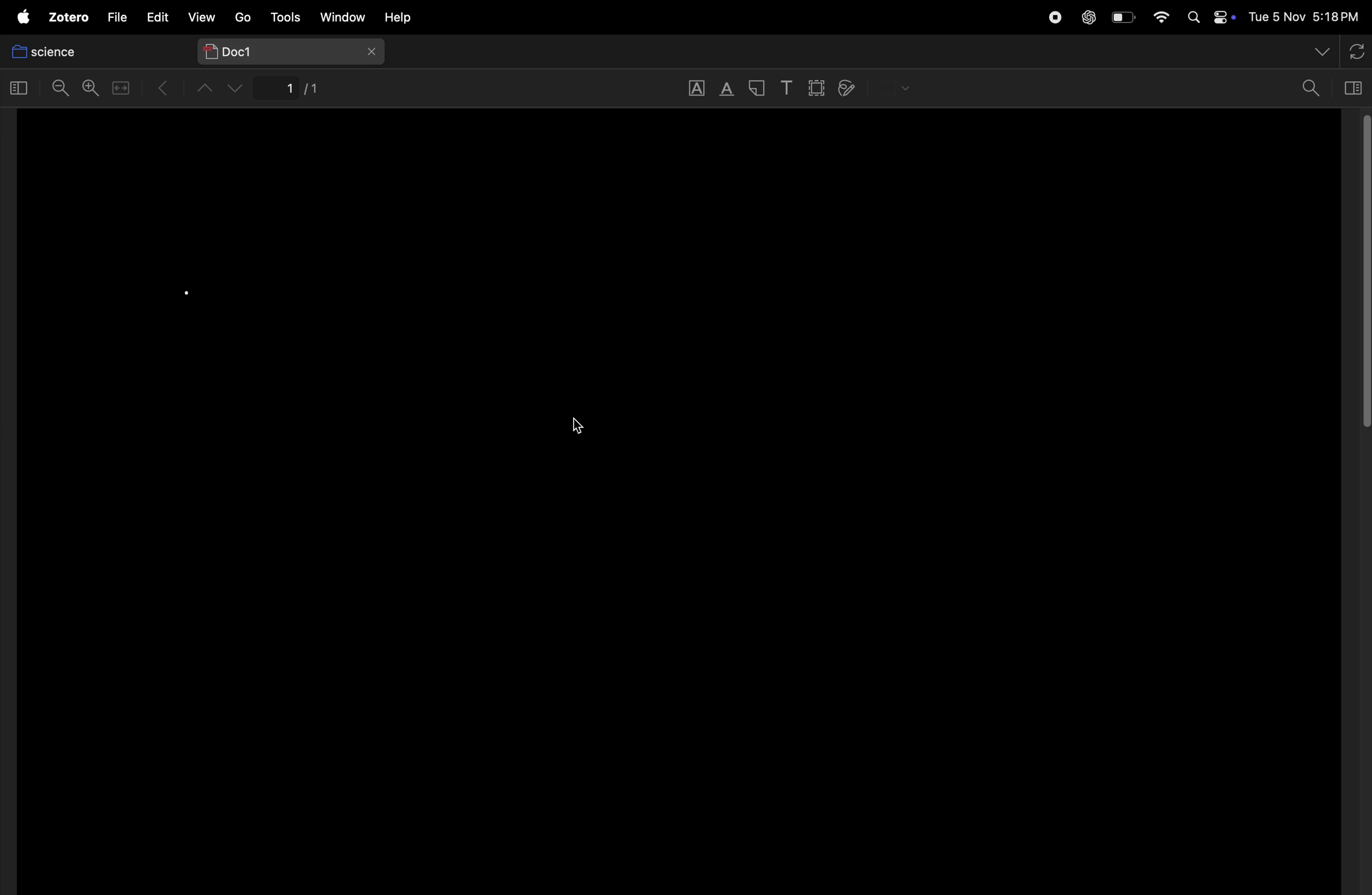 This screenshot has width=1372, height=895. I want to click on toggle, so click(1363, 272).